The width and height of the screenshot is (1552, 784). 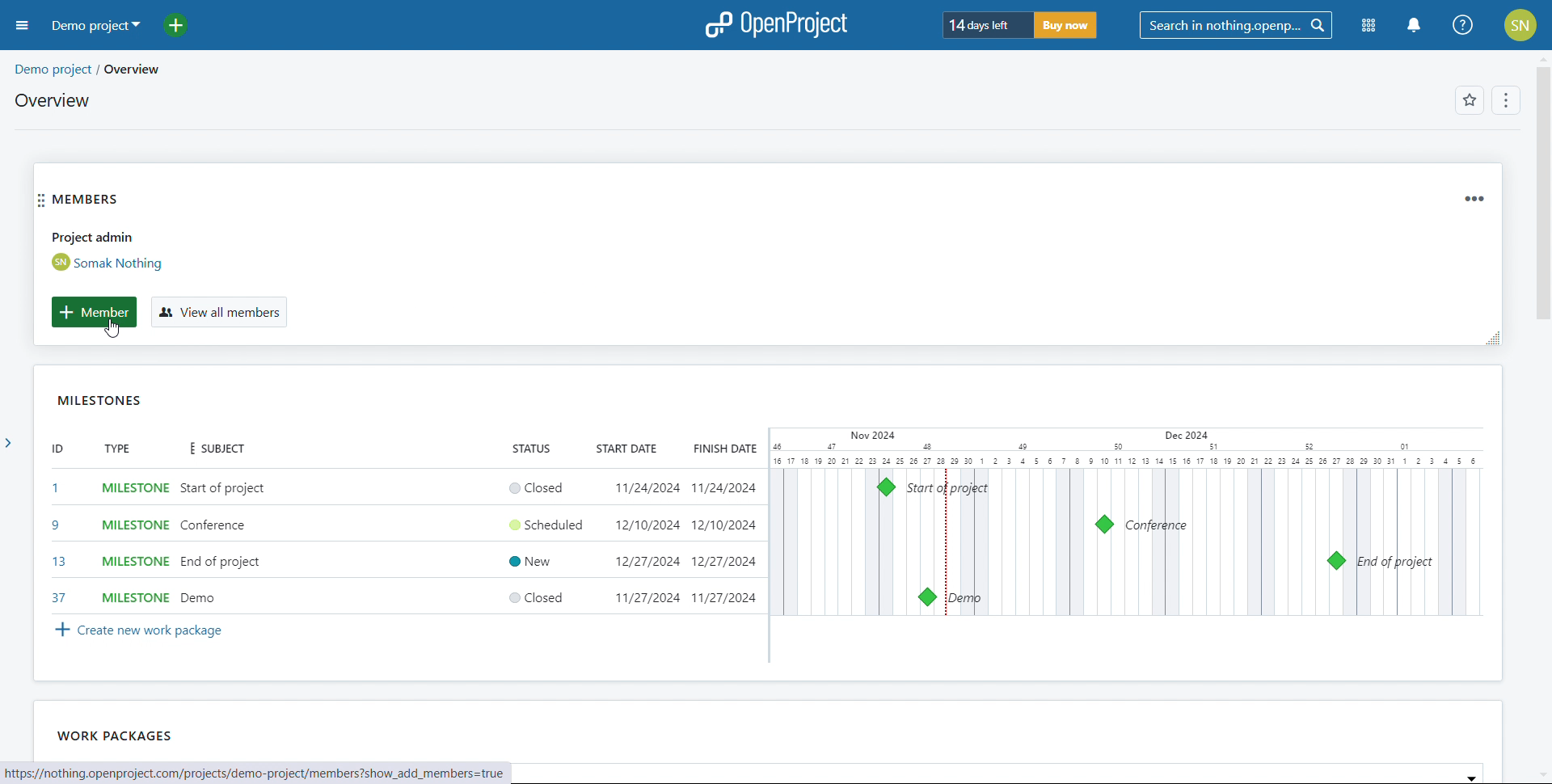 What do you see at coordinates (1469, 100) in the screenshot?
I see `add to favorites` at bounding box center [1469, 100].